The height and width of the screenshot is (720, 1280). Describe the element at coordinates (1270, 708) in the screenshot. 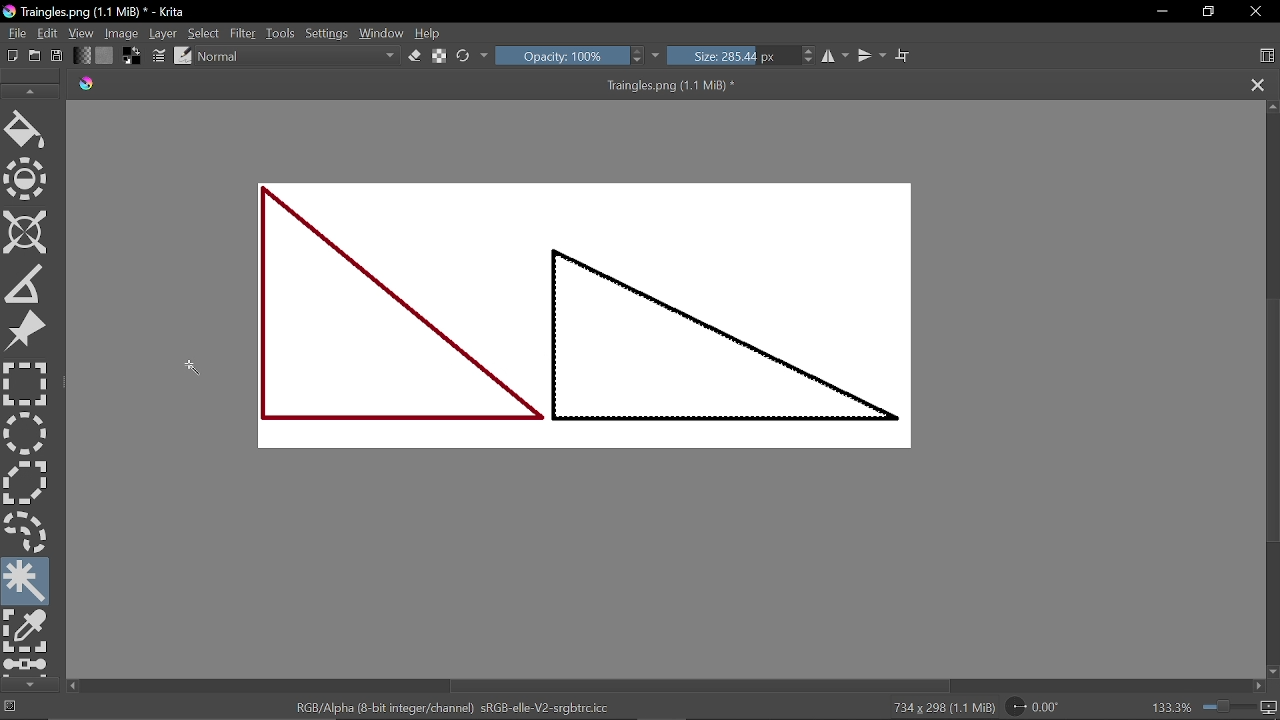

I see `Zoom` at that location.